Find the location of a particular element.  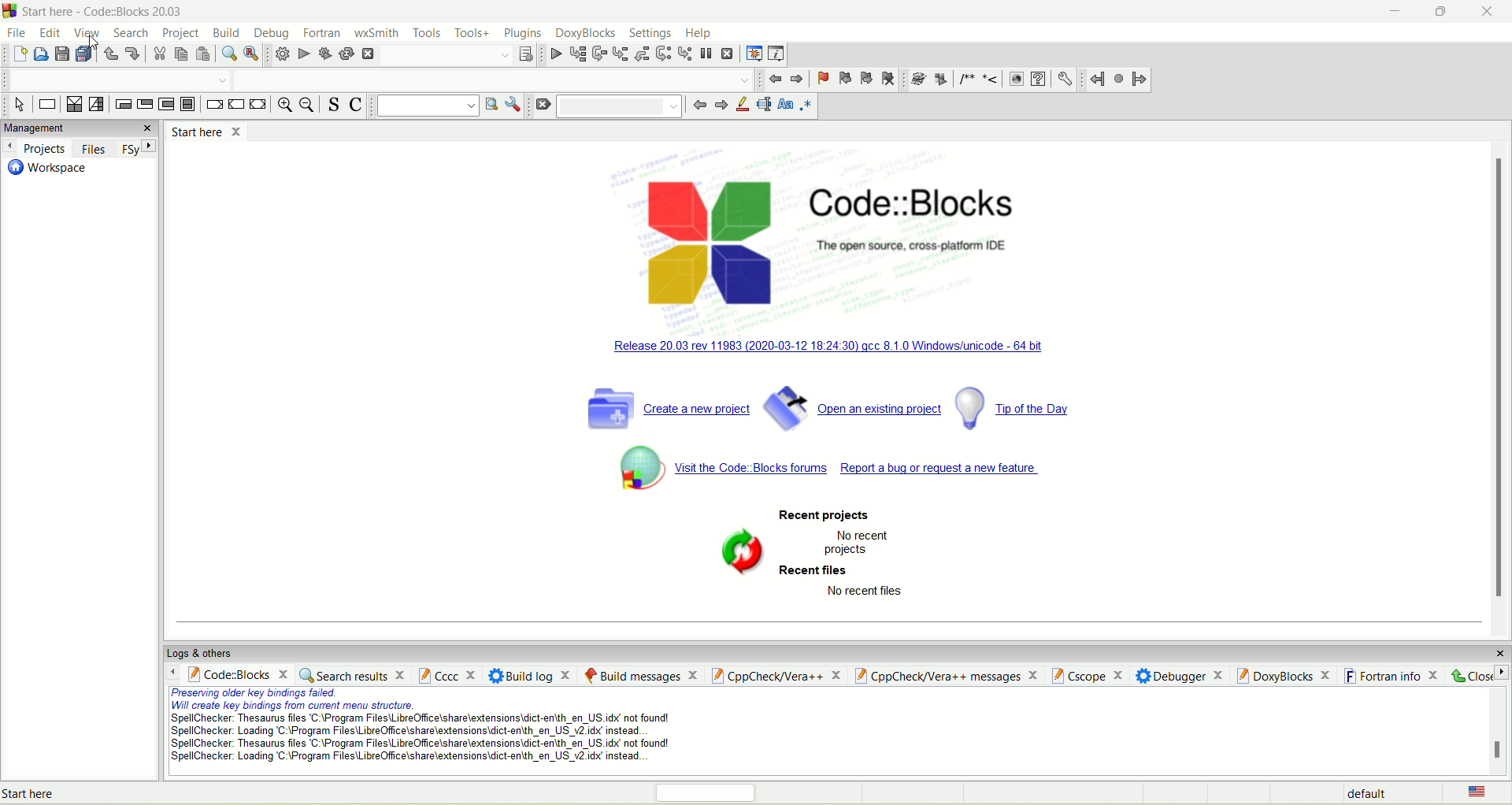

vertical scroll bar is located at coordinates (1503, 381).